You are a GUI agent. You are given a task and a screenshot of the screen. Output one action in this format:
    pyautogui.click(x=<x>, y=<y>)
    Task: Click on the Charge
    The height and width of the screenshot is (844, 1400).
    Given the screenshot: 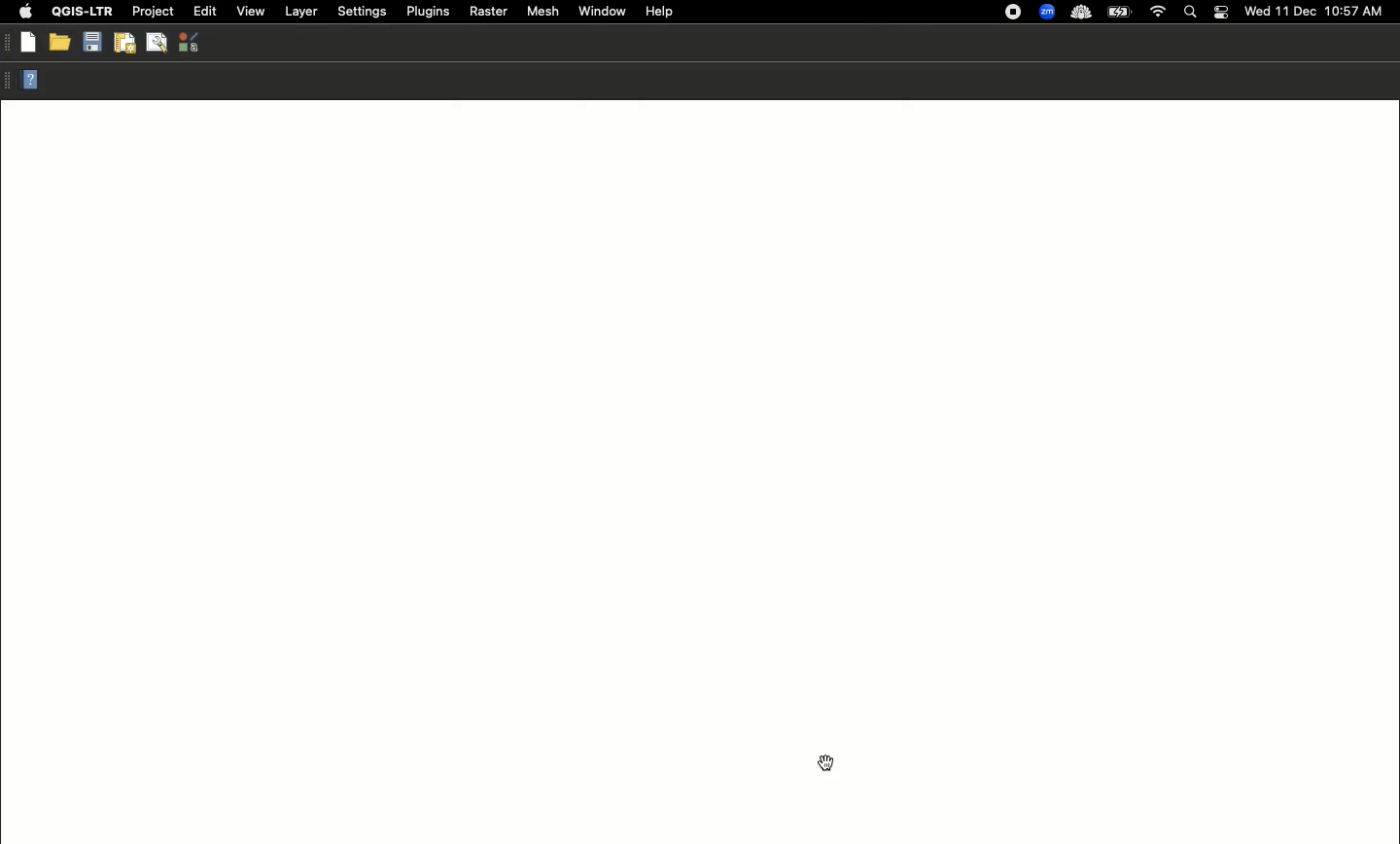 What is the action you would take?
    pyautogui.click(x=1124, y=12)
    